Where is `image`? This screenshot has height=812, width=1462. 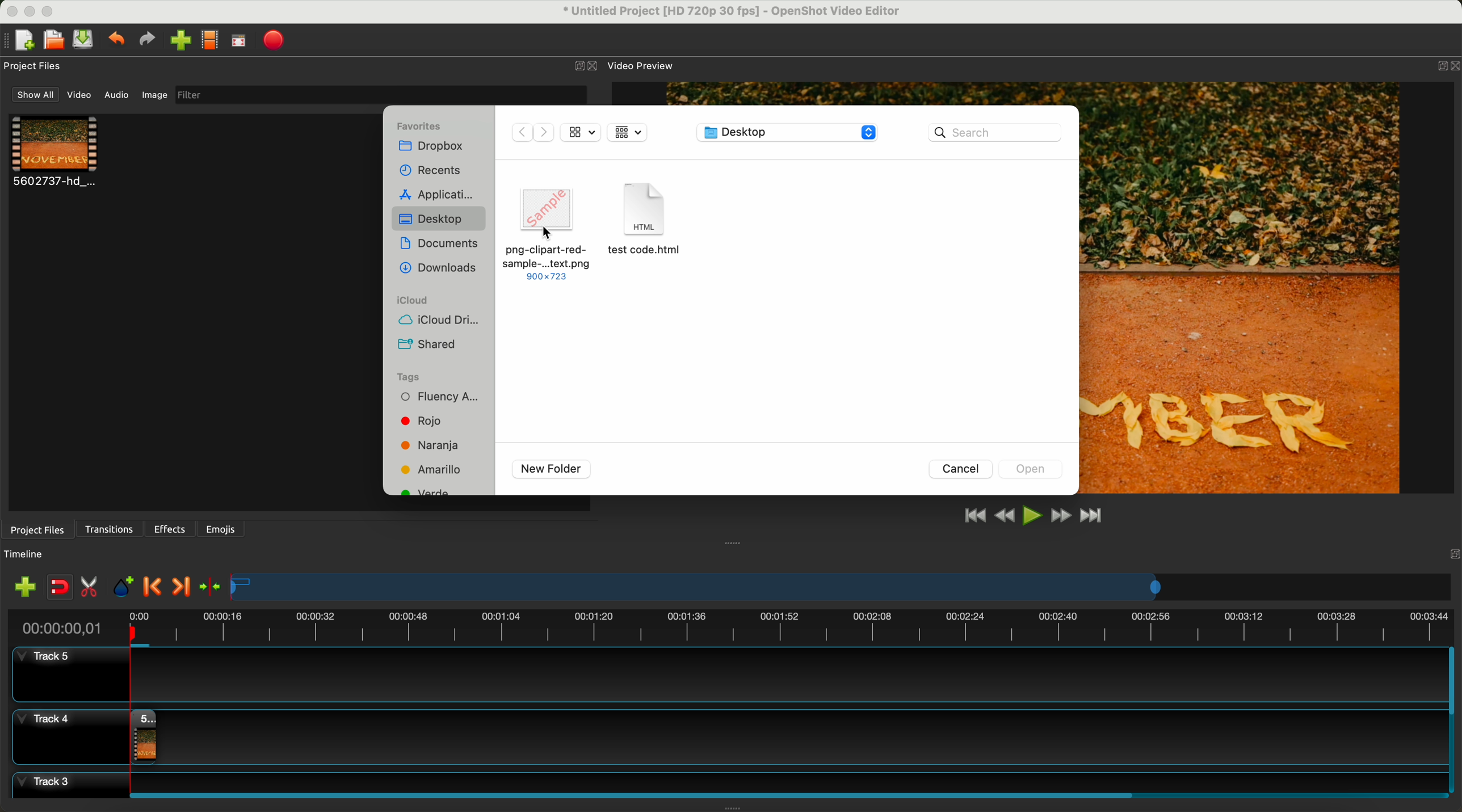
image is located at coordinates (153, 96).